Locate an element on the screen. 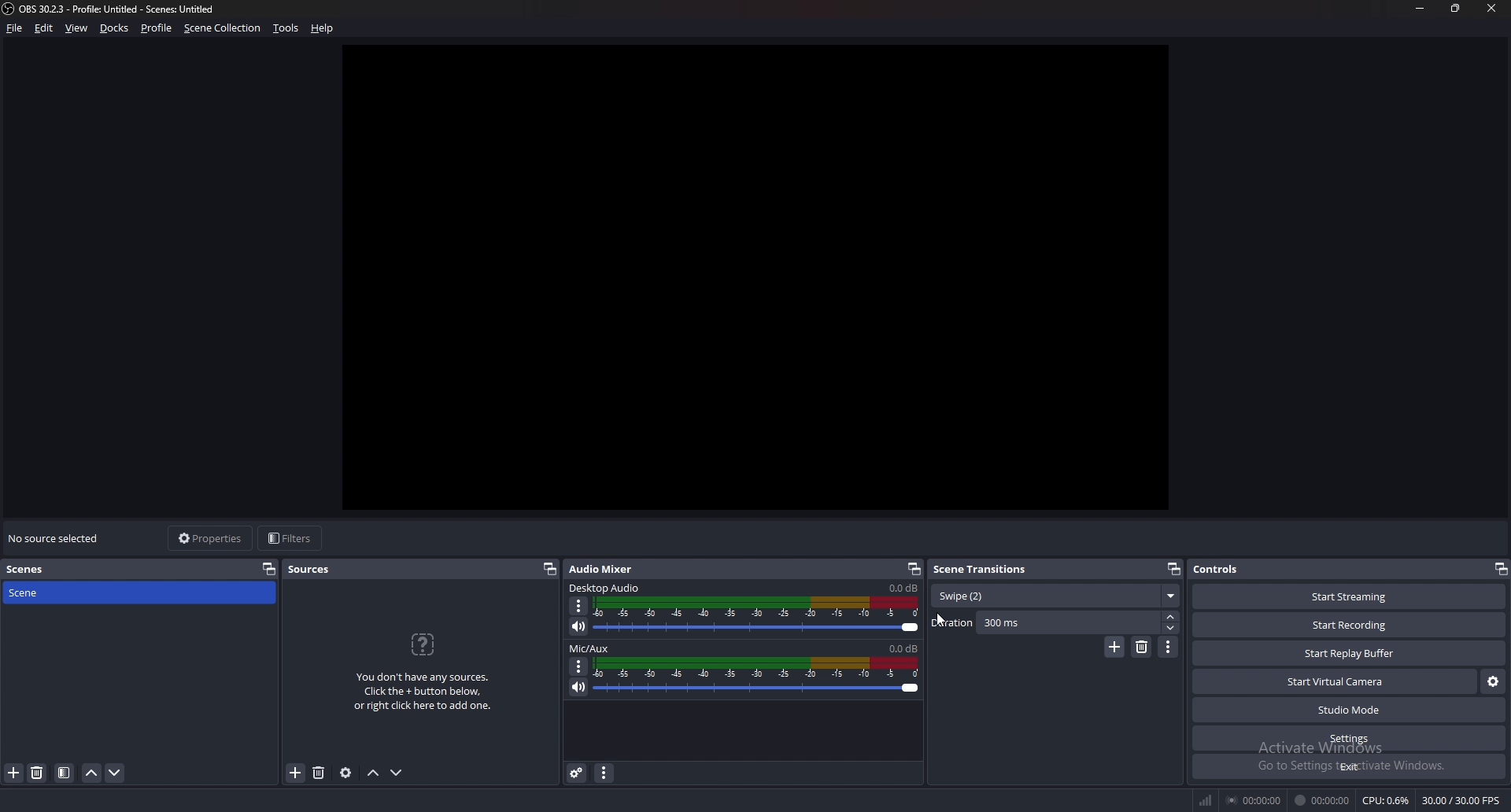 The width and height of the screenshot is (1511, 812). scenes is located at coordinates (54, 570).